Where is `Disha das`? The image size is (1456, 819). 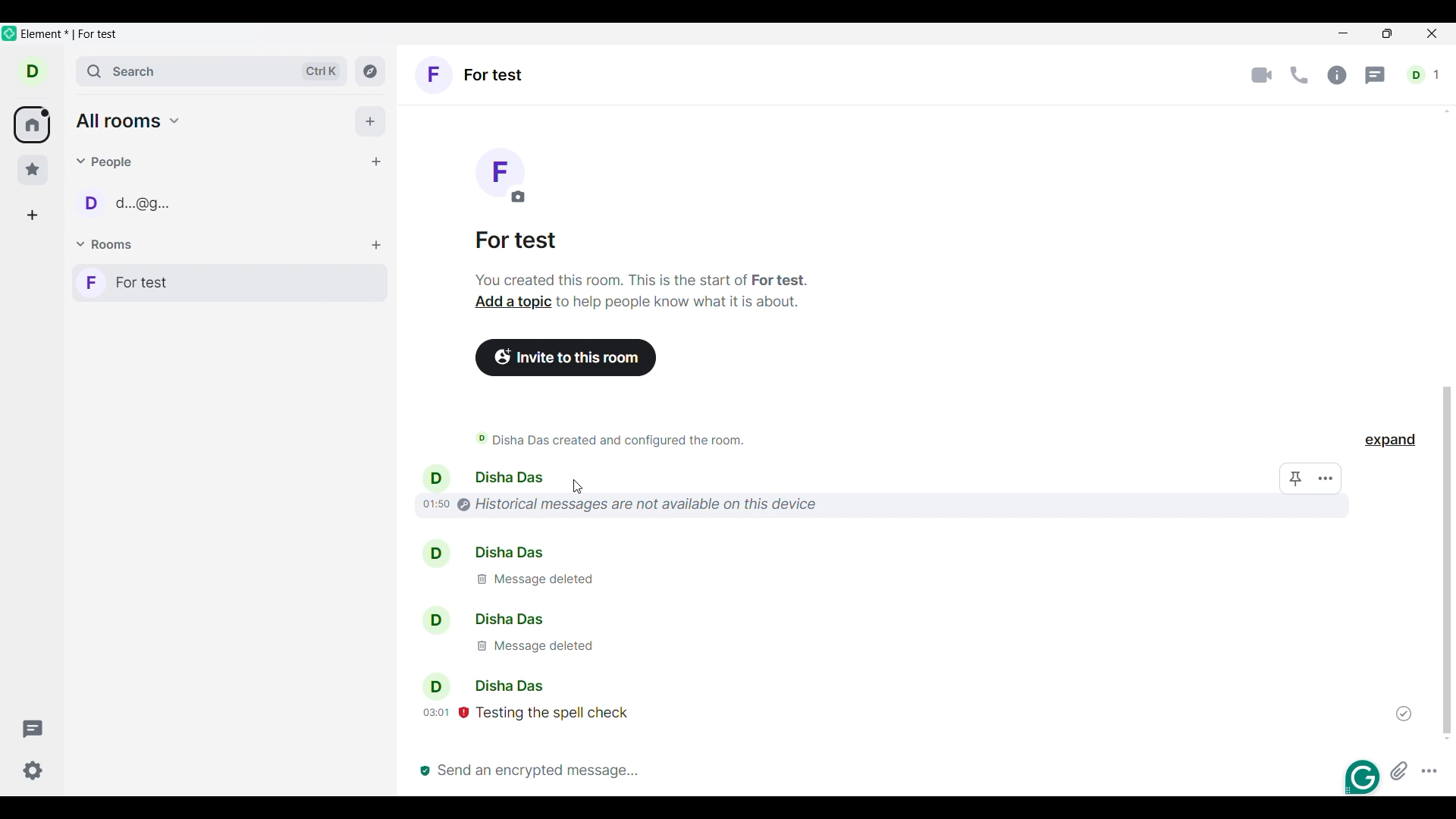 Disha das is located at coordinates (481, 620).